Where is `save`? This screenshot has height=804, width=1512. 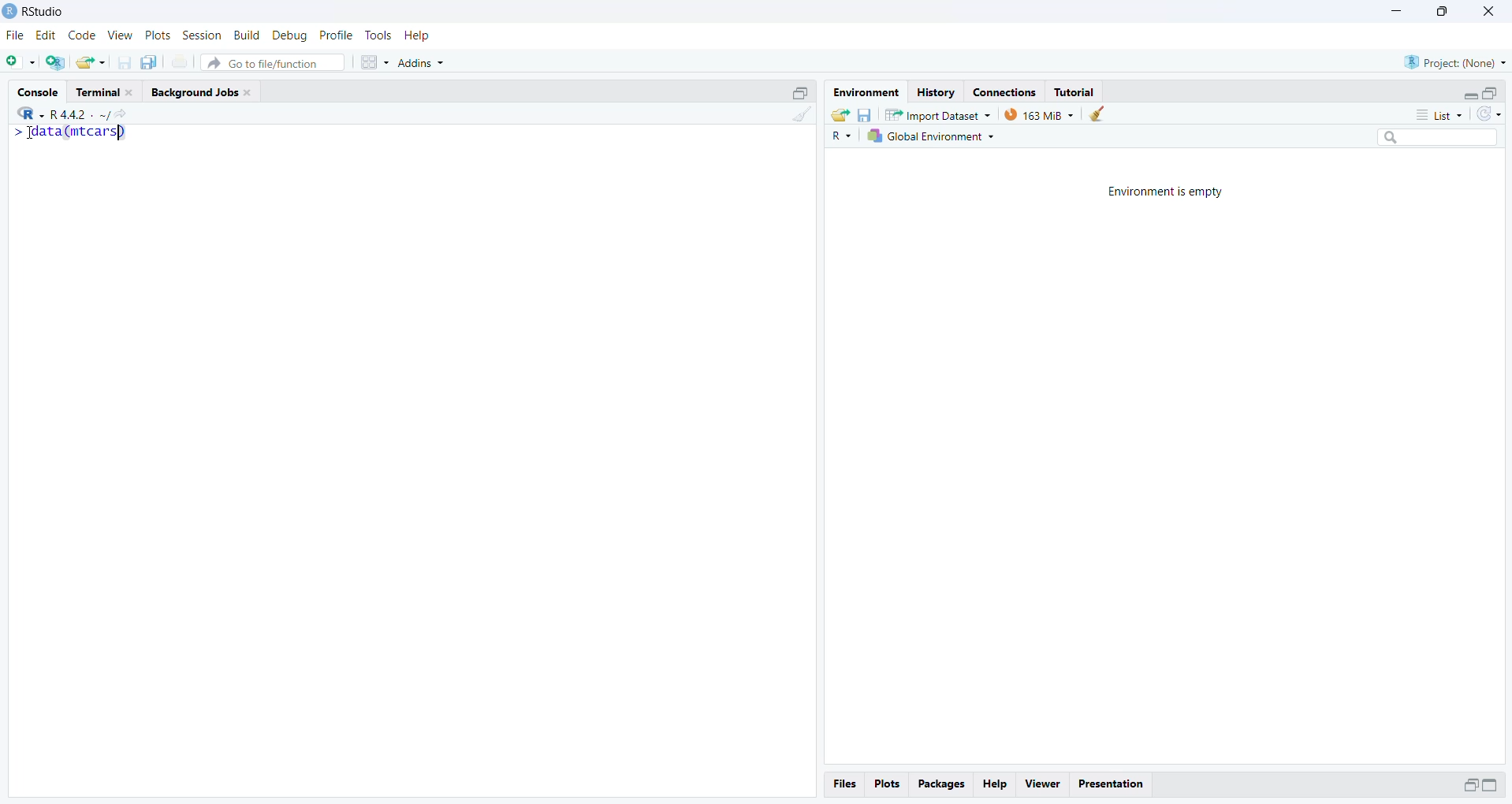 save is located at coordinates (124, 62).